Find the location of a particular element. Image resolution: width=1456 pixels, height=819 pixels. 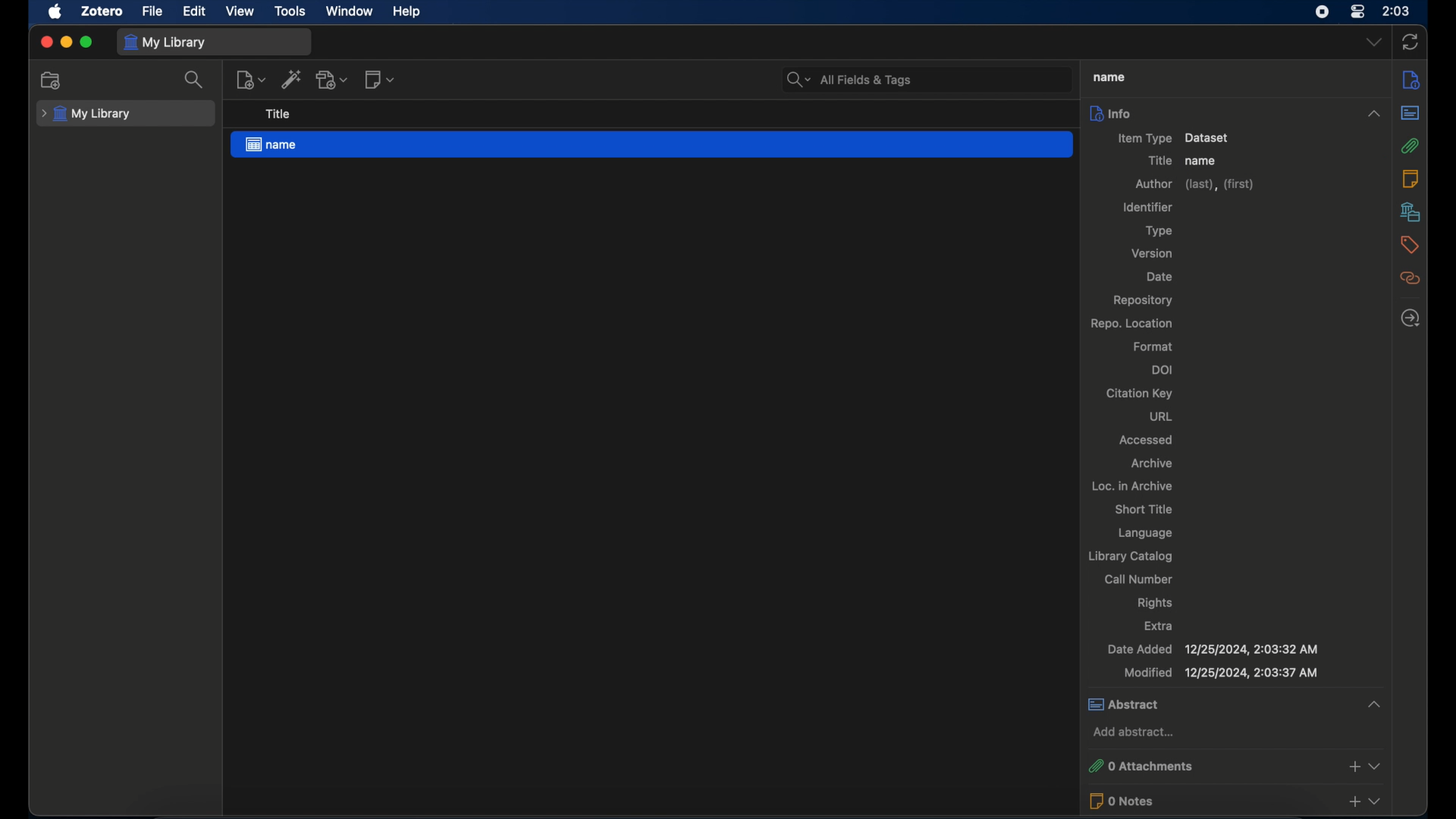

new notes is located at coordinates (381, 80).